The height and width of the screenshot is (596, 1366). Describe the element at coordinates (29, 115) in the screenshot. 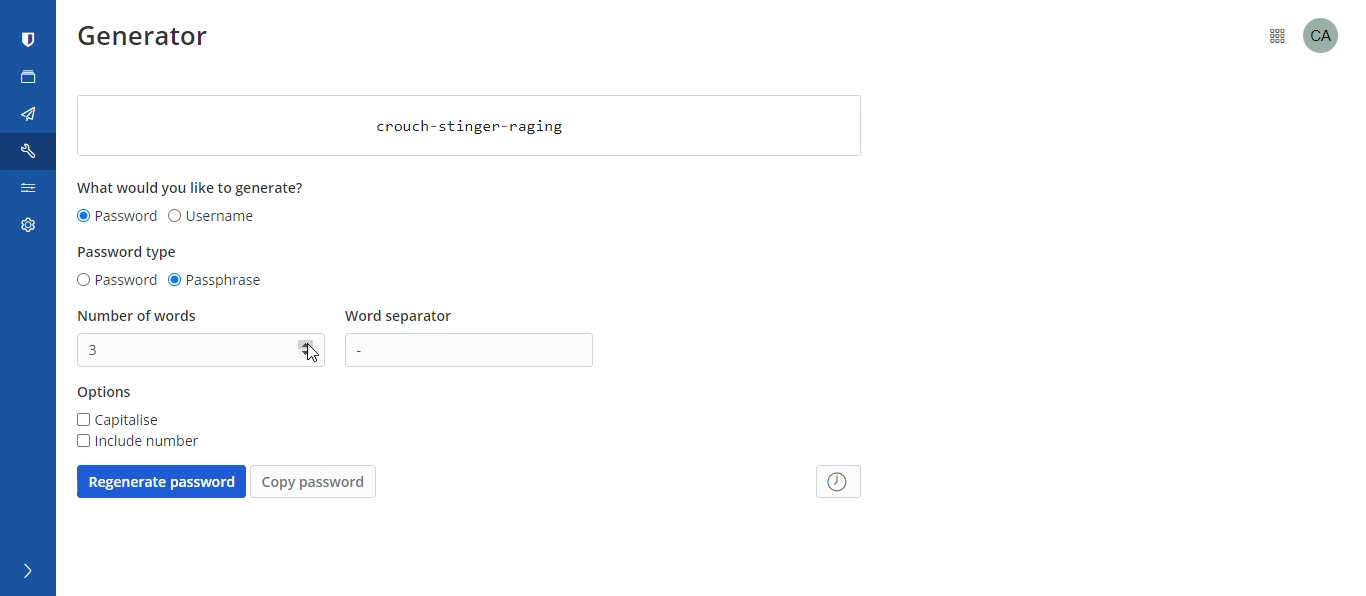

I see `send` at that location.